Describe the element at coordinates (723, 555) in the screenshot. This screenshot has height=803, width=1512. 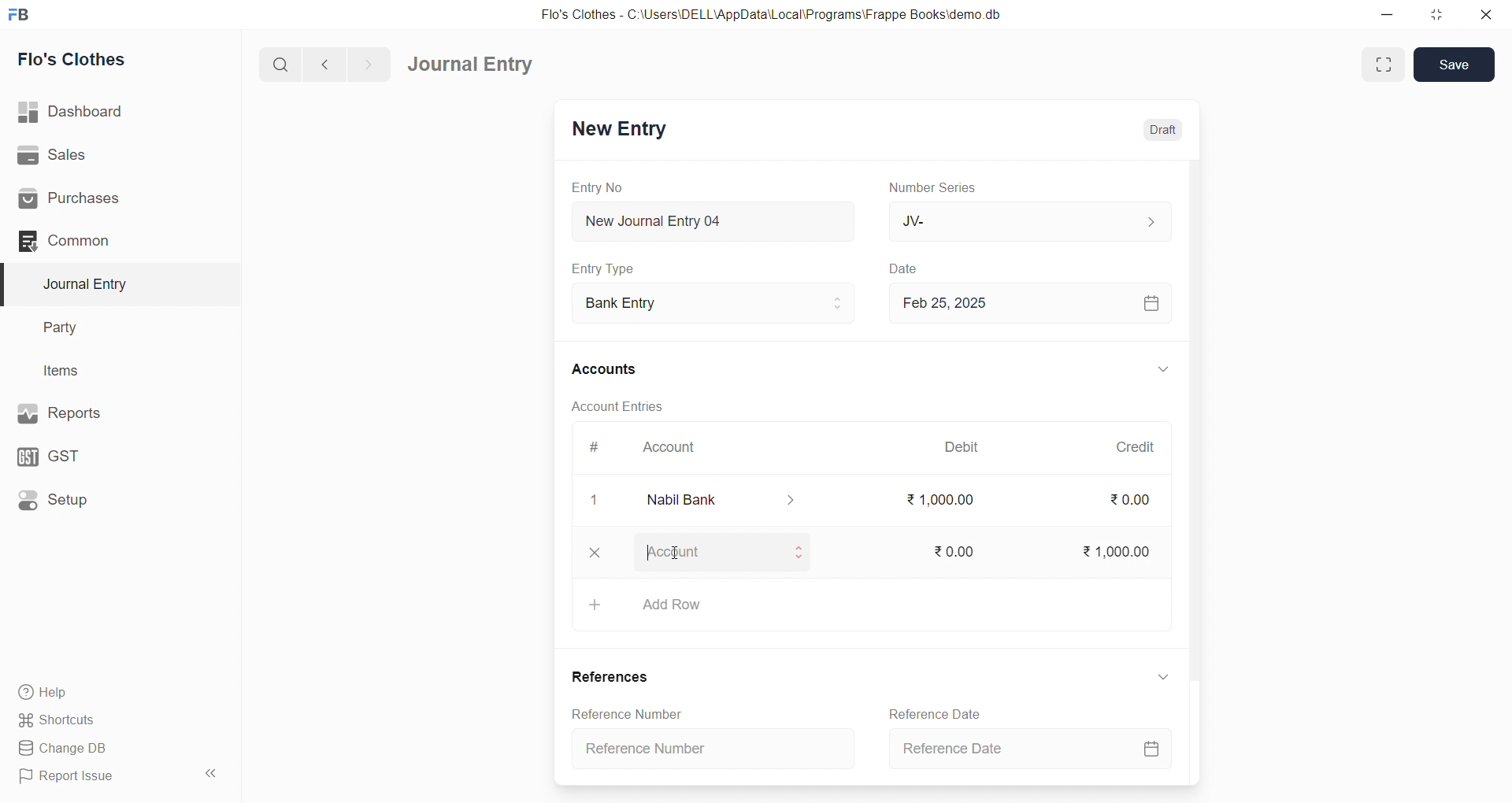
I see `account` at that location.